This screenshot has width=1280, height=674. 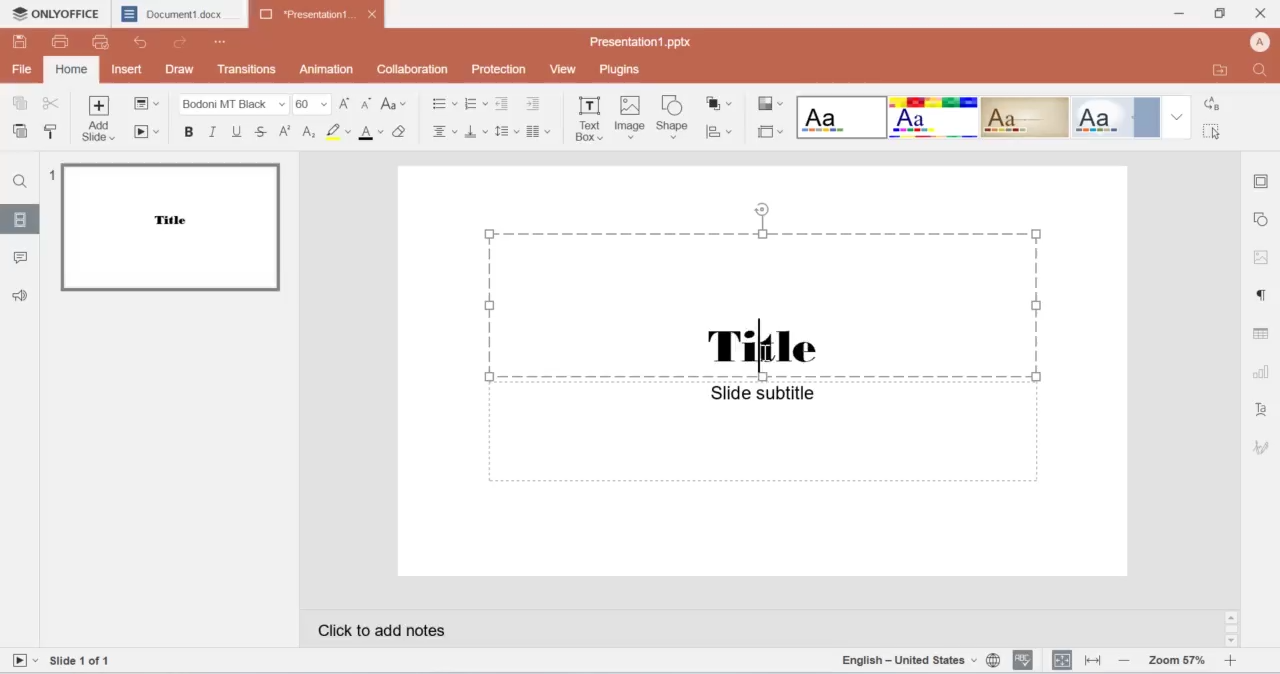 I want to click on plugins, so click(x=619, y=70).